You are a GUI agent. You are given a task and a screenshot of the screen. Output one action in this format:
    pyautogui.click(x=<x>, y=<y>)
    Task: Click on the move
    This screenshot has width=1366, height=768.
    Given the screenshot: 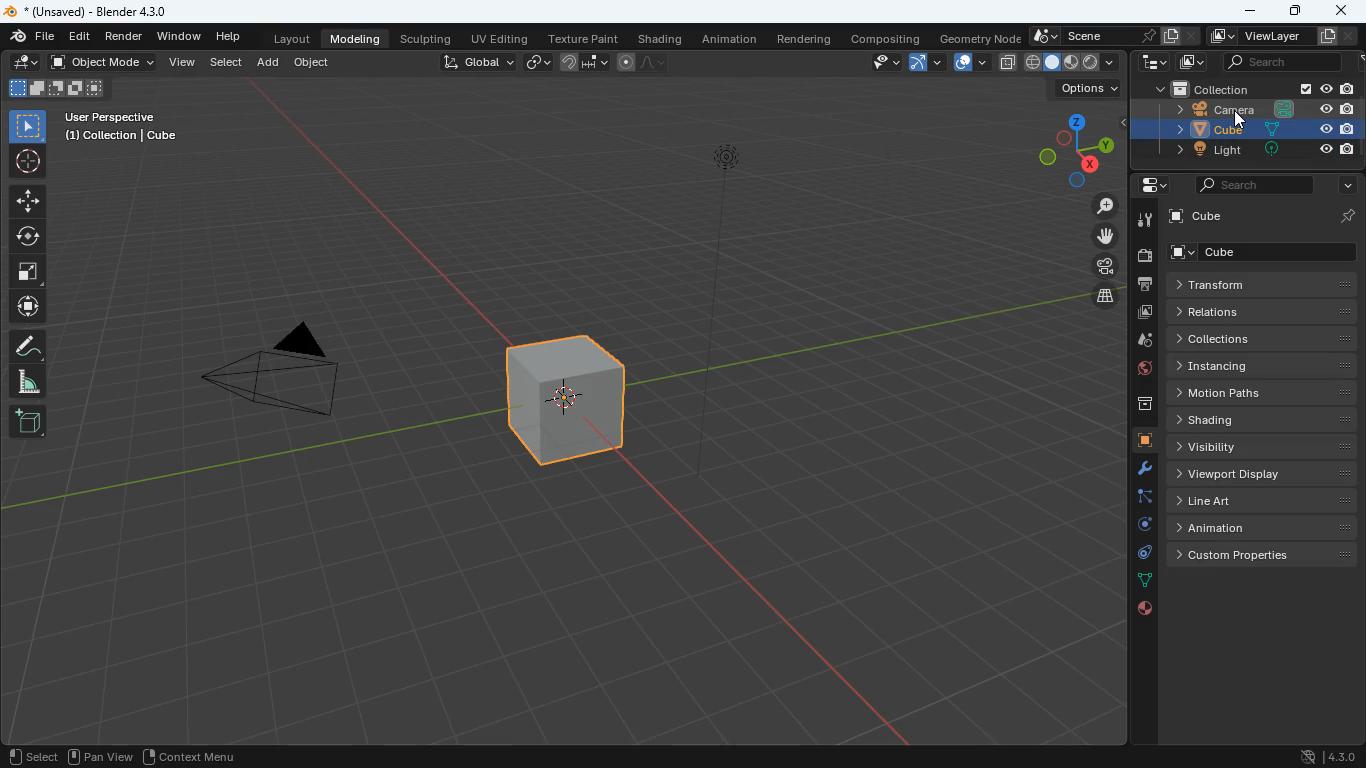 What is the action you would take?
    pyautogui.click(x=29, y=200)
    